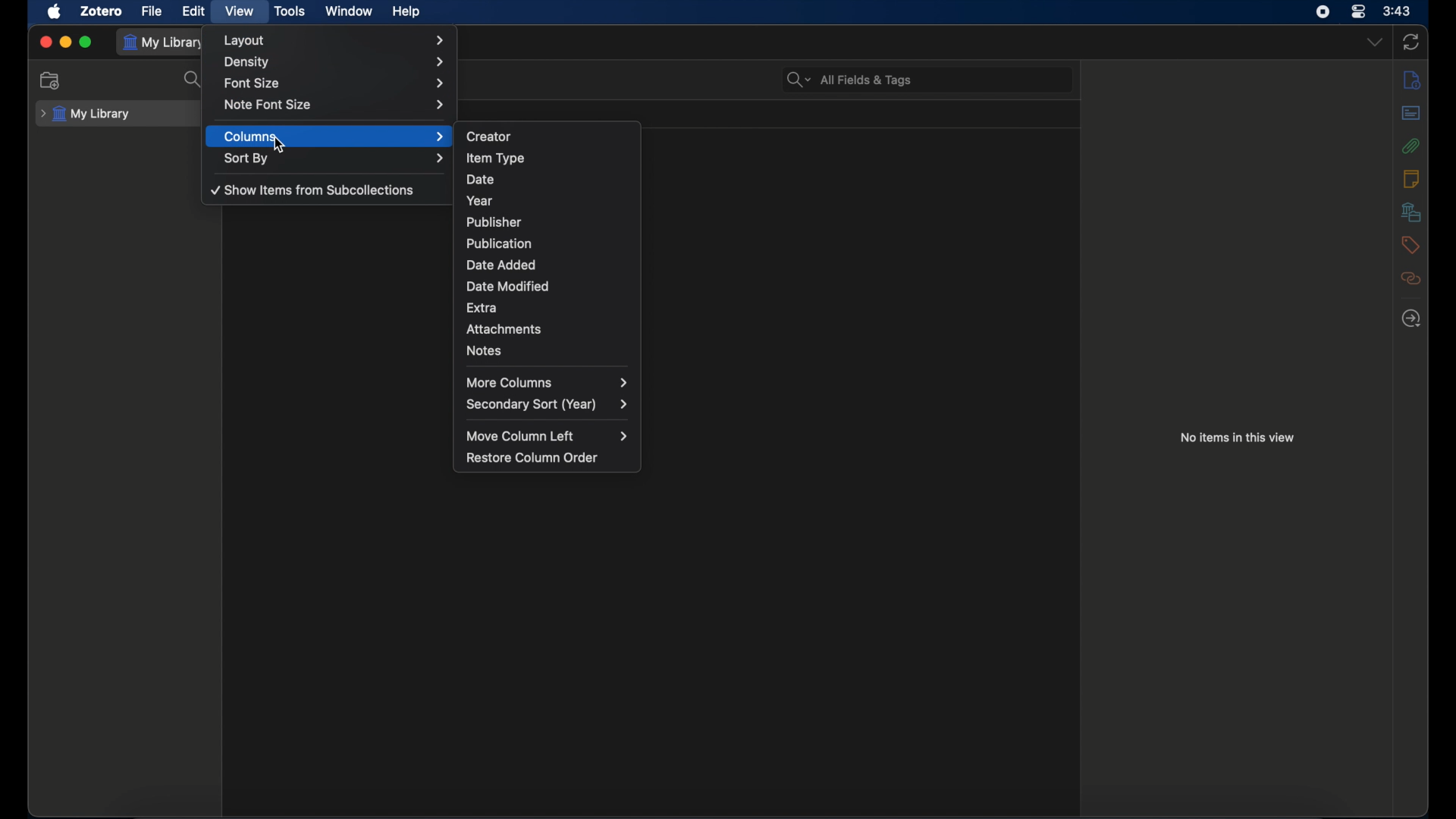 This screenshot has height=819, width=1456. I want to click on columns, so click(334, 136).